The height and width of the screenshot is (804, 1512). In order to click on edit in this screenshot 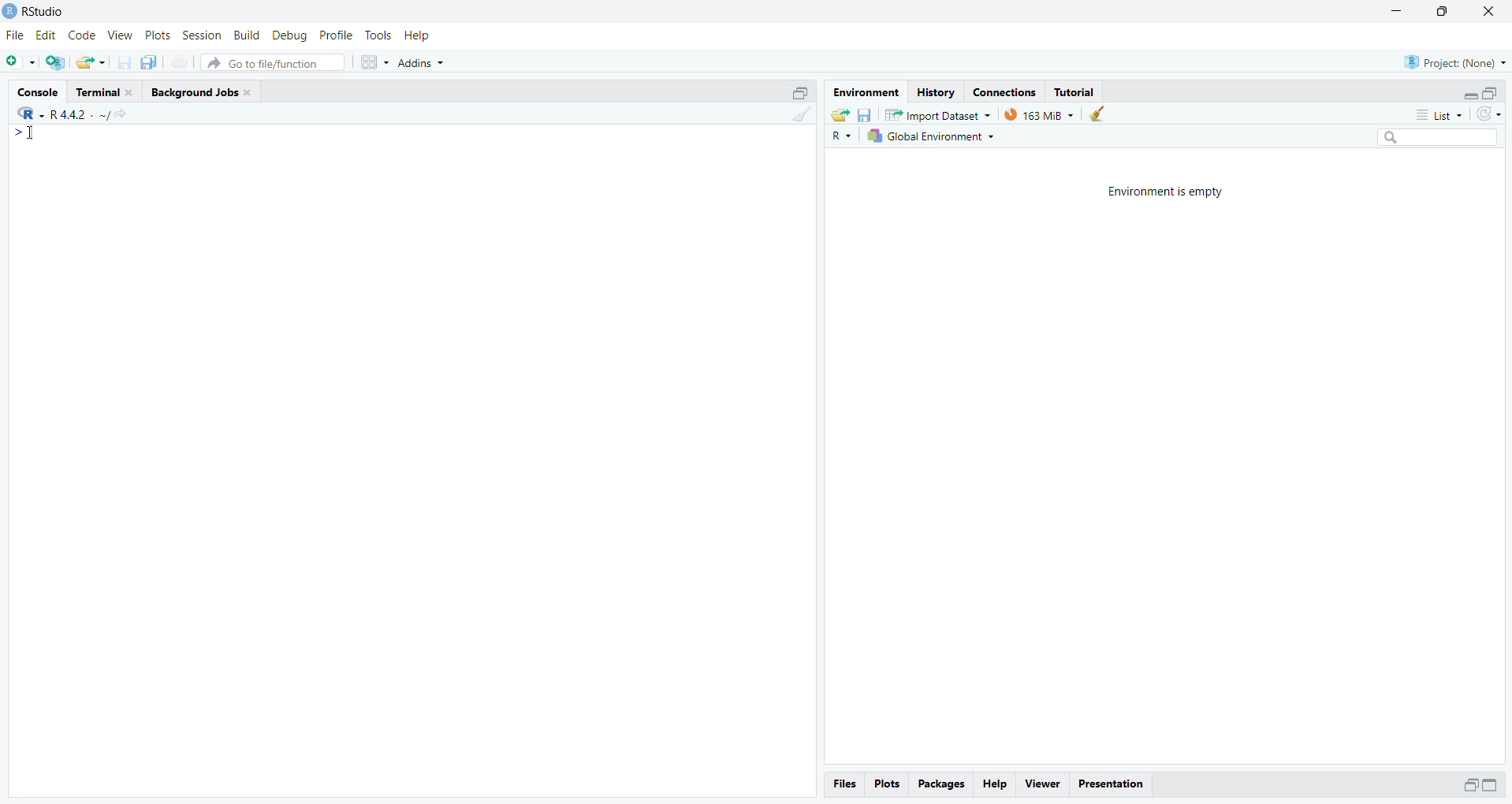, I will do `click(46, 35)`.